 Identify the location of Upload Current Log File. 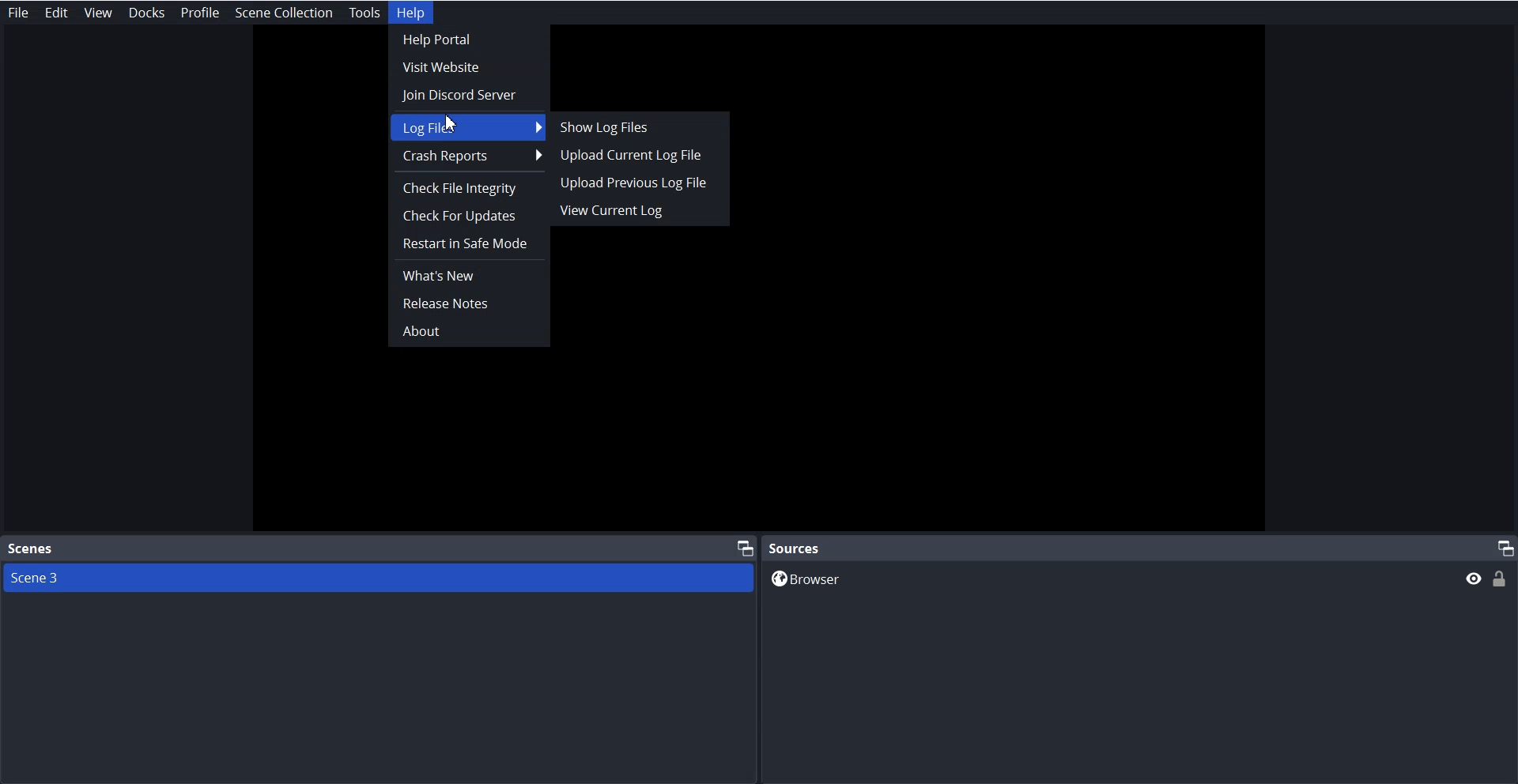
(633, 153).